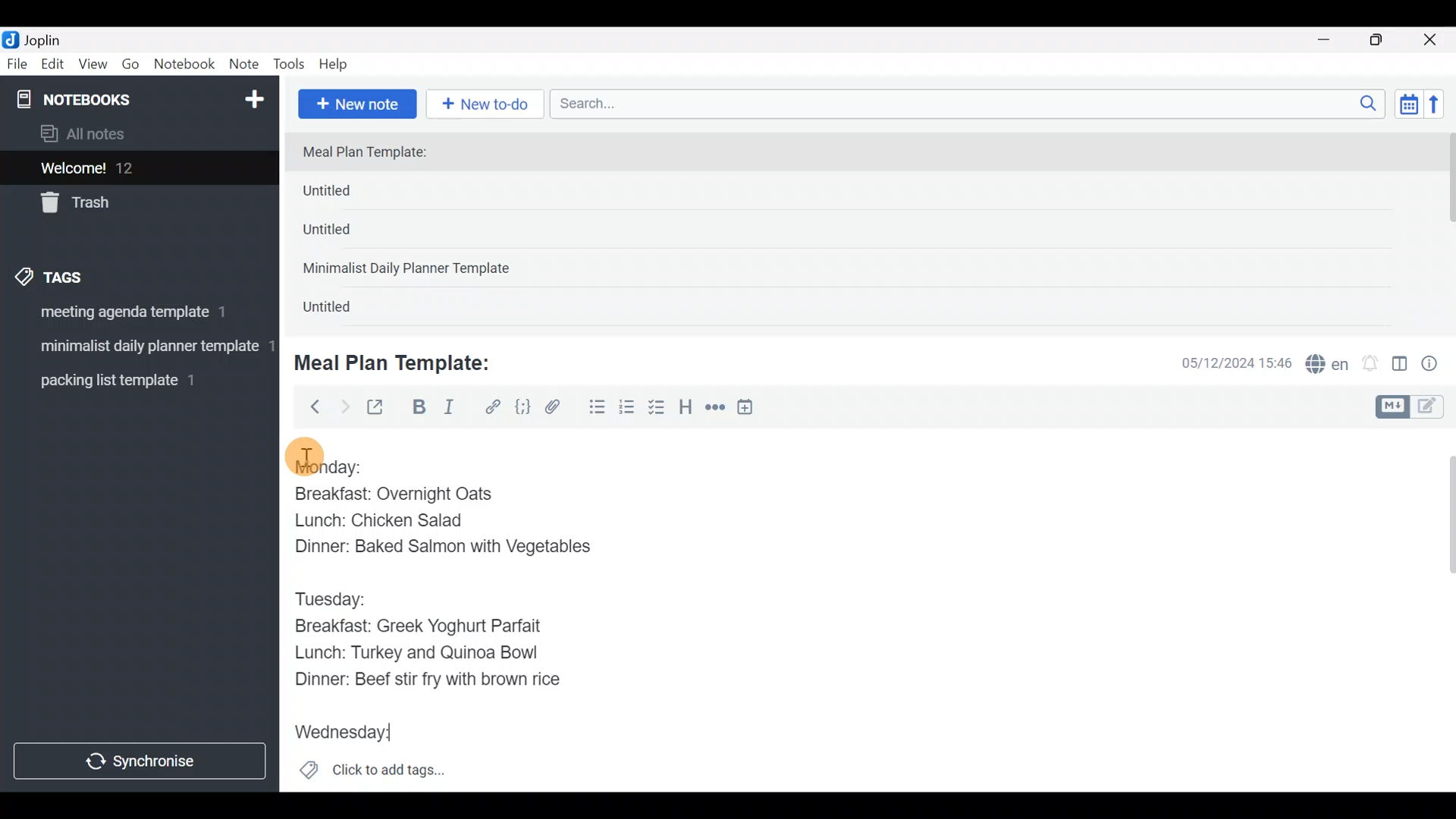 Image resolution: width=1456 pixels, height=819 pixels. What do you see at coordinates (627, 410) in the screenshot?
I see `Numbered list` at bounding box center [627, 410].